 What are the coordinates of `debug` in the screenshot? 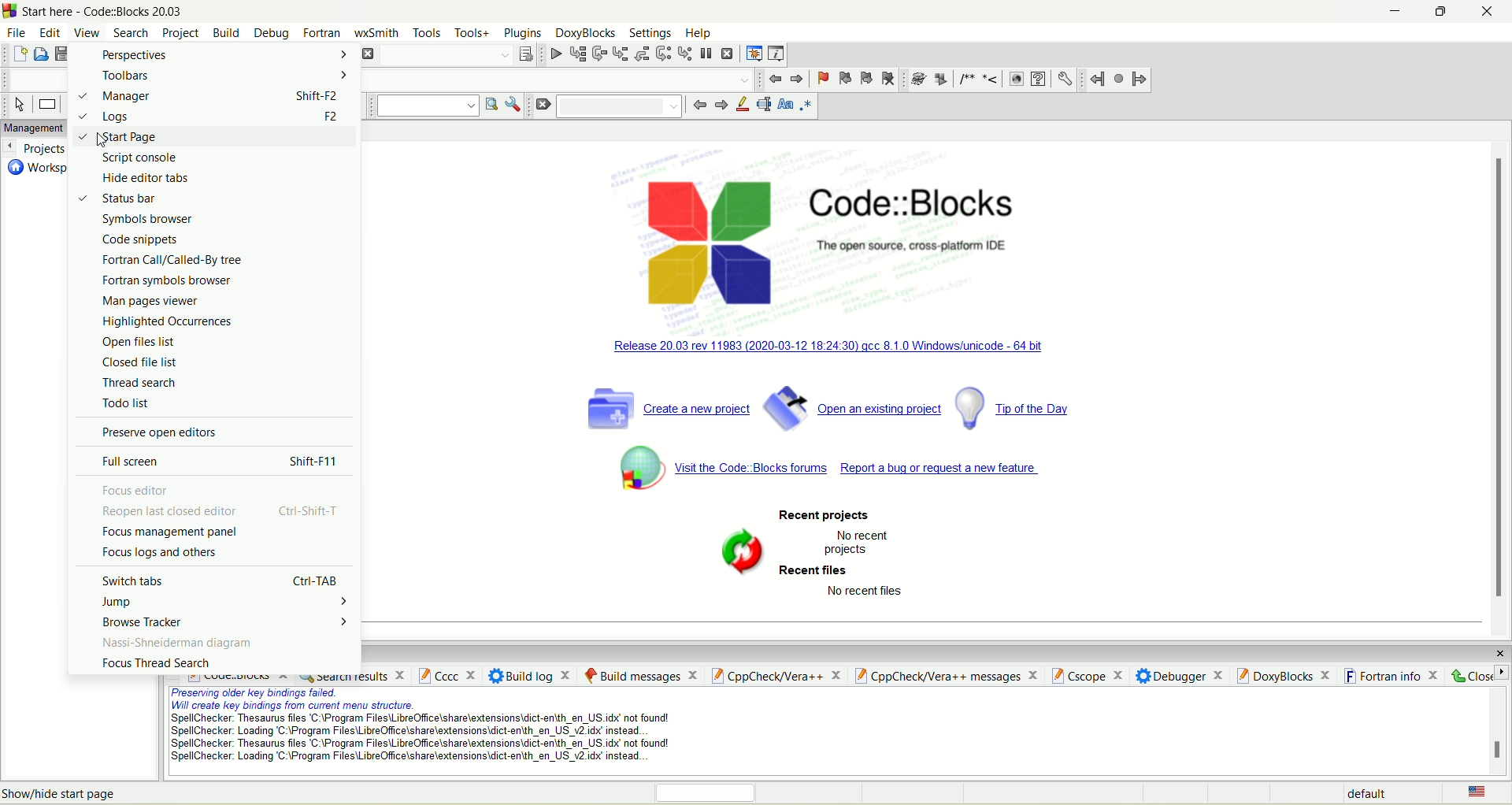 It's located at (269, 32).